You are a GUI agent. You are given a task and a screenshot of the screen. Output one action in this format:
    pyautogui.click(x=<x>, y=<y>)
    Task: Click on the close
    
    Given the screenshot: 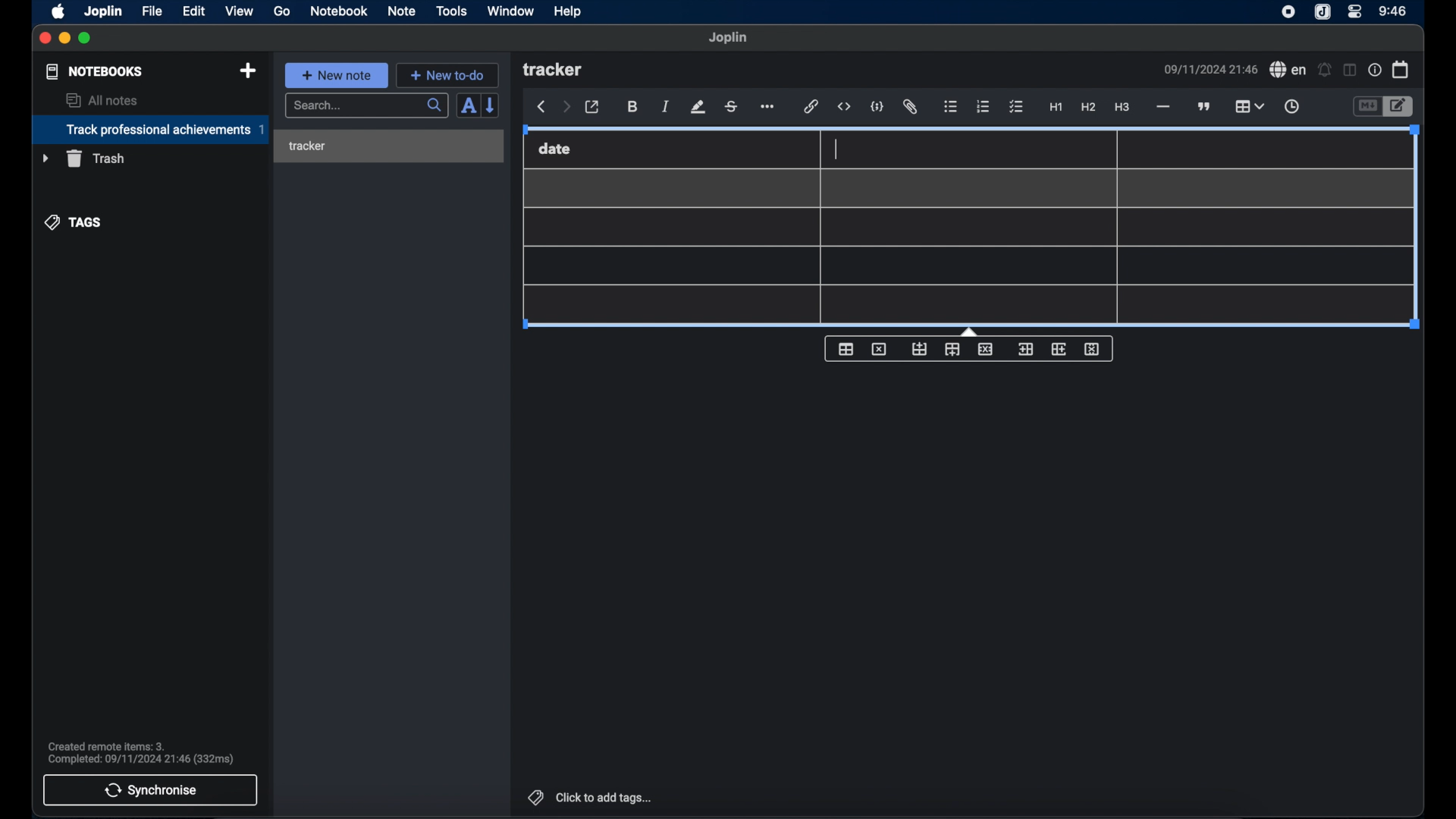 What is the action you would take?
    pyautogui.click(x=45, y=38)
    